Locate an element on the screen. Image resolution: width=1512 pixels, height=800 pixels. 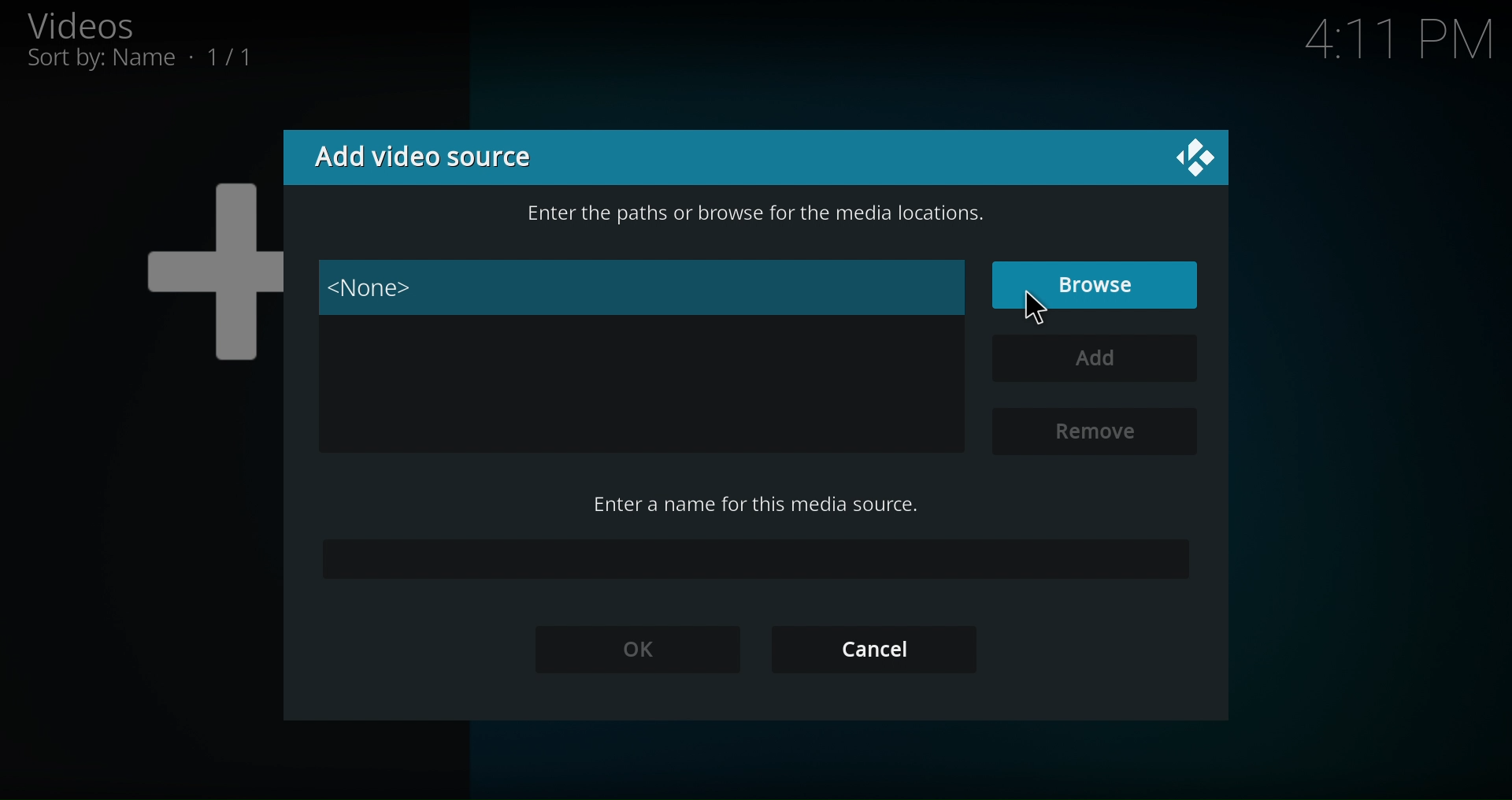
Pointer Cursor is located at coordinates (1038, 308).